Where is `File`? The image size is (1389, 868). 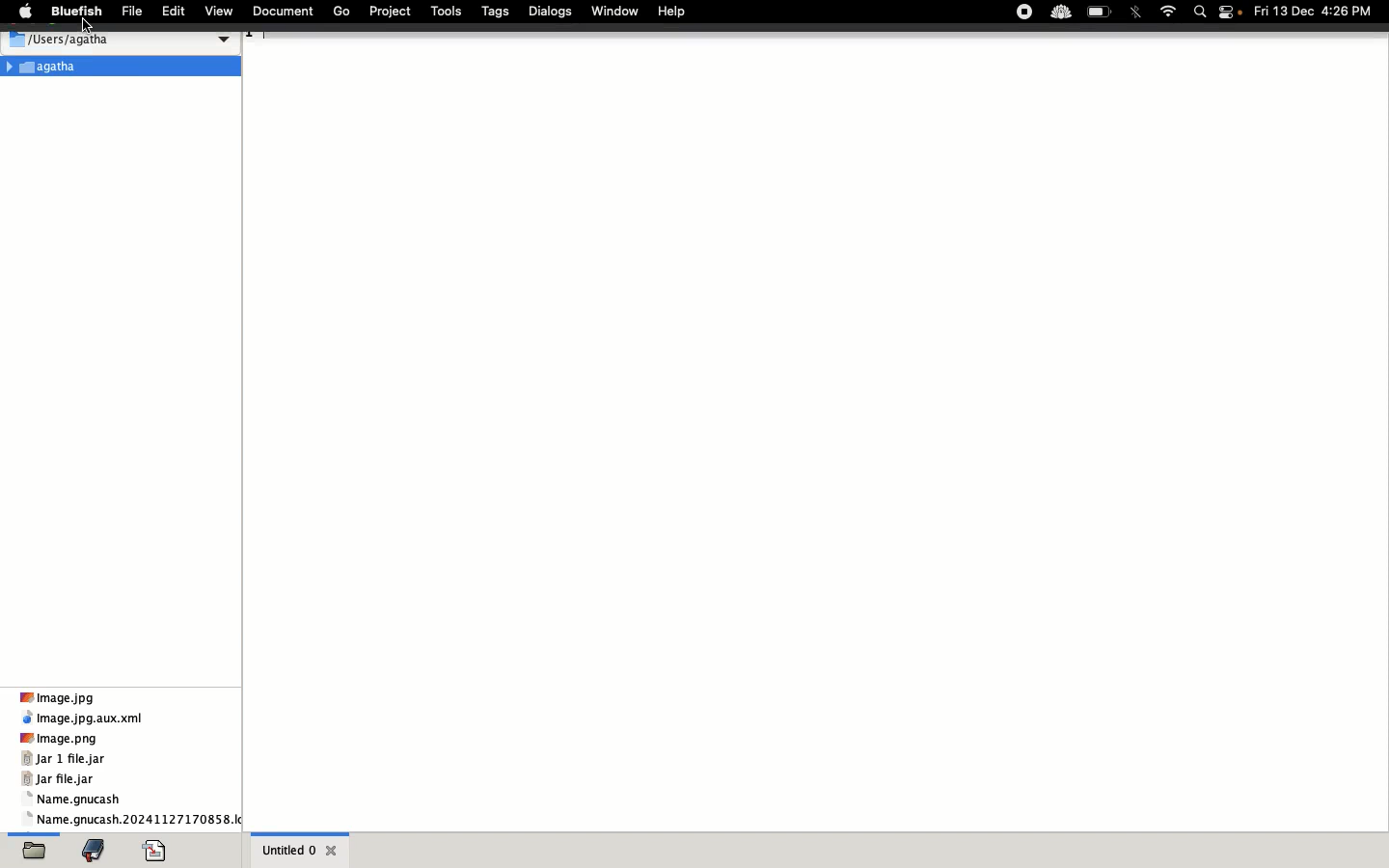
File is located at coordinates (131, 14).